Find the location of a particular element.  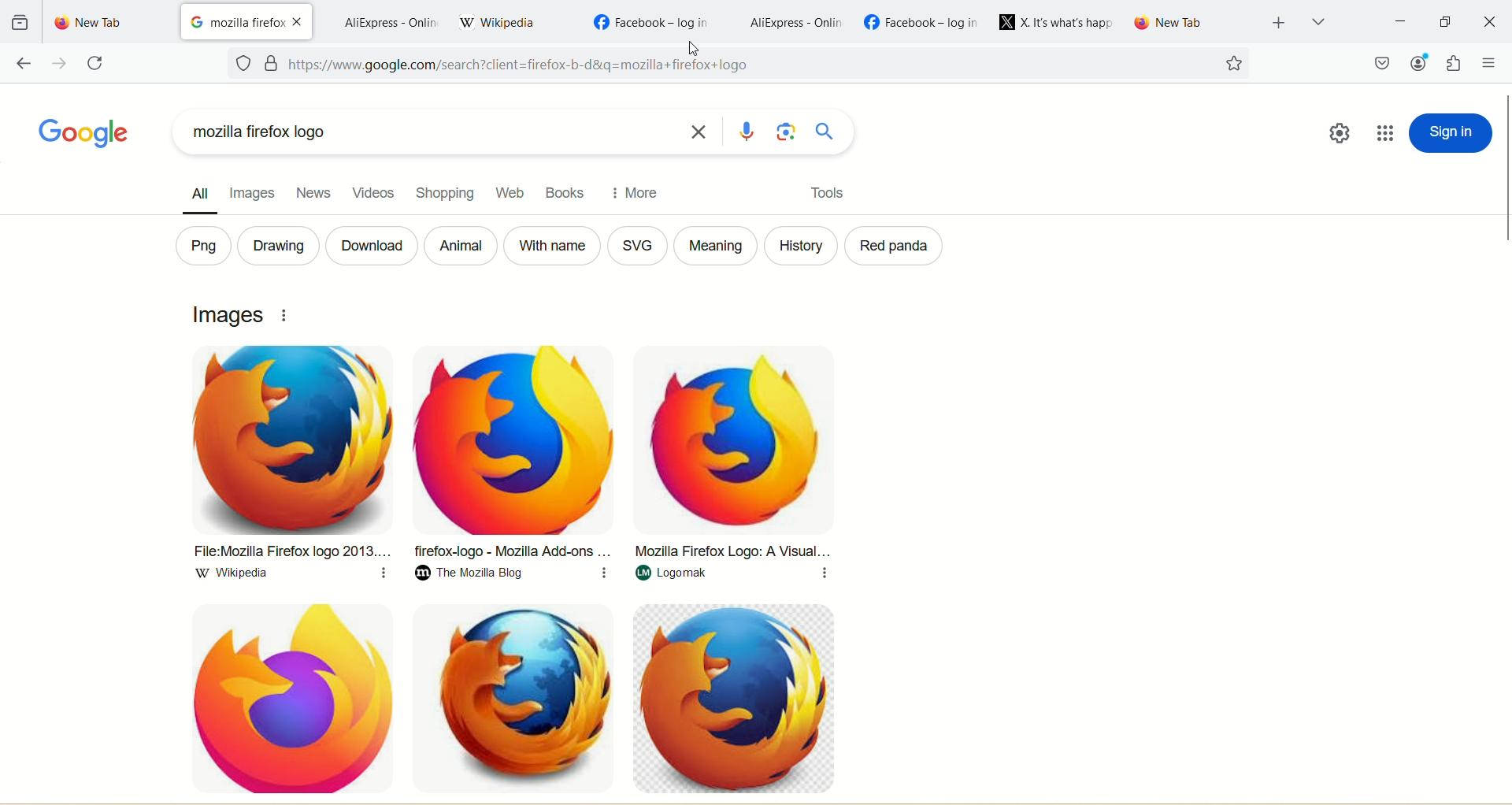

Wikipedia is located at coordinates (290, 576).